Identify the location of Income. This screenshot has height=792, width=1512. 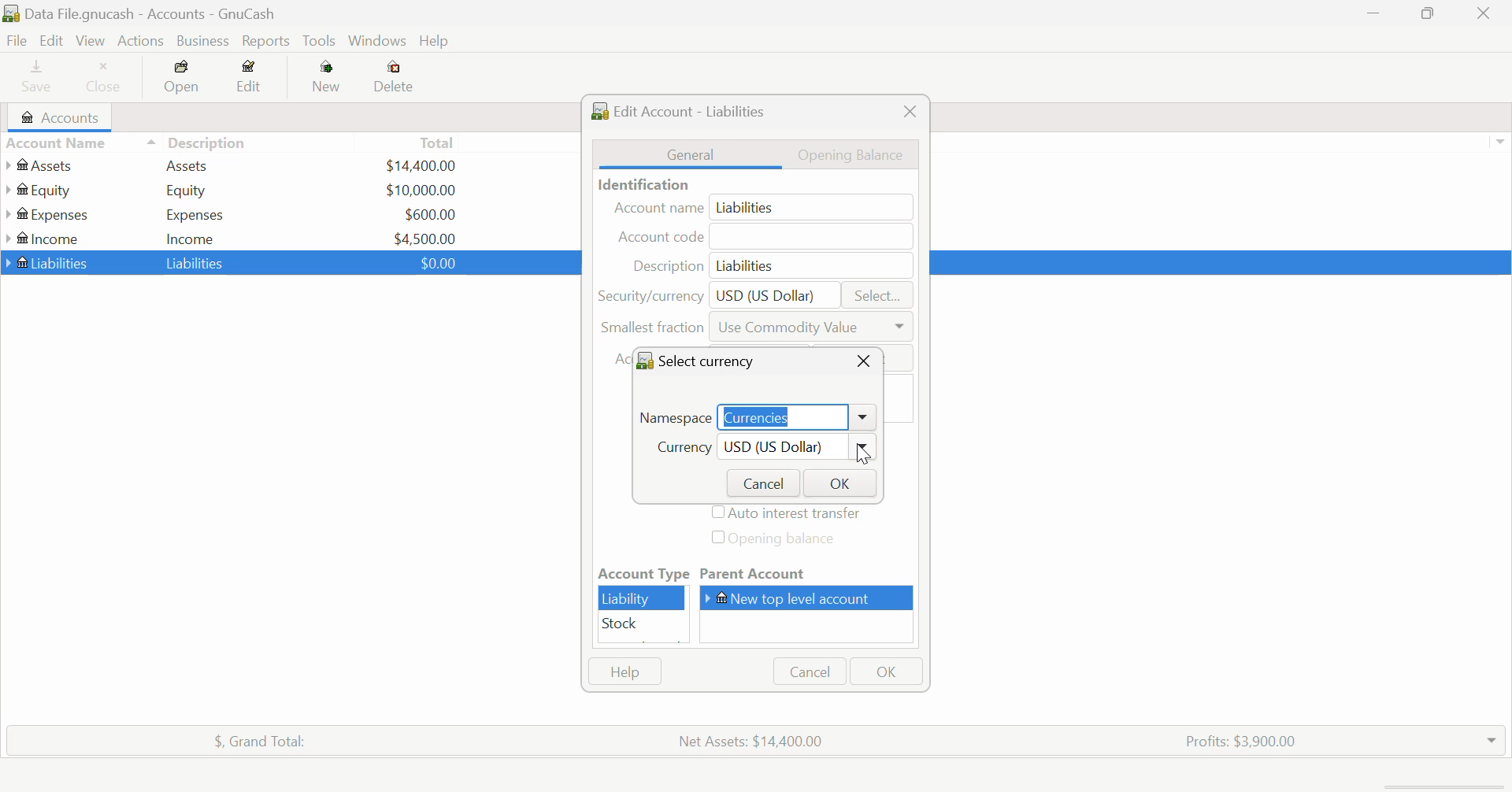
(191, 238).